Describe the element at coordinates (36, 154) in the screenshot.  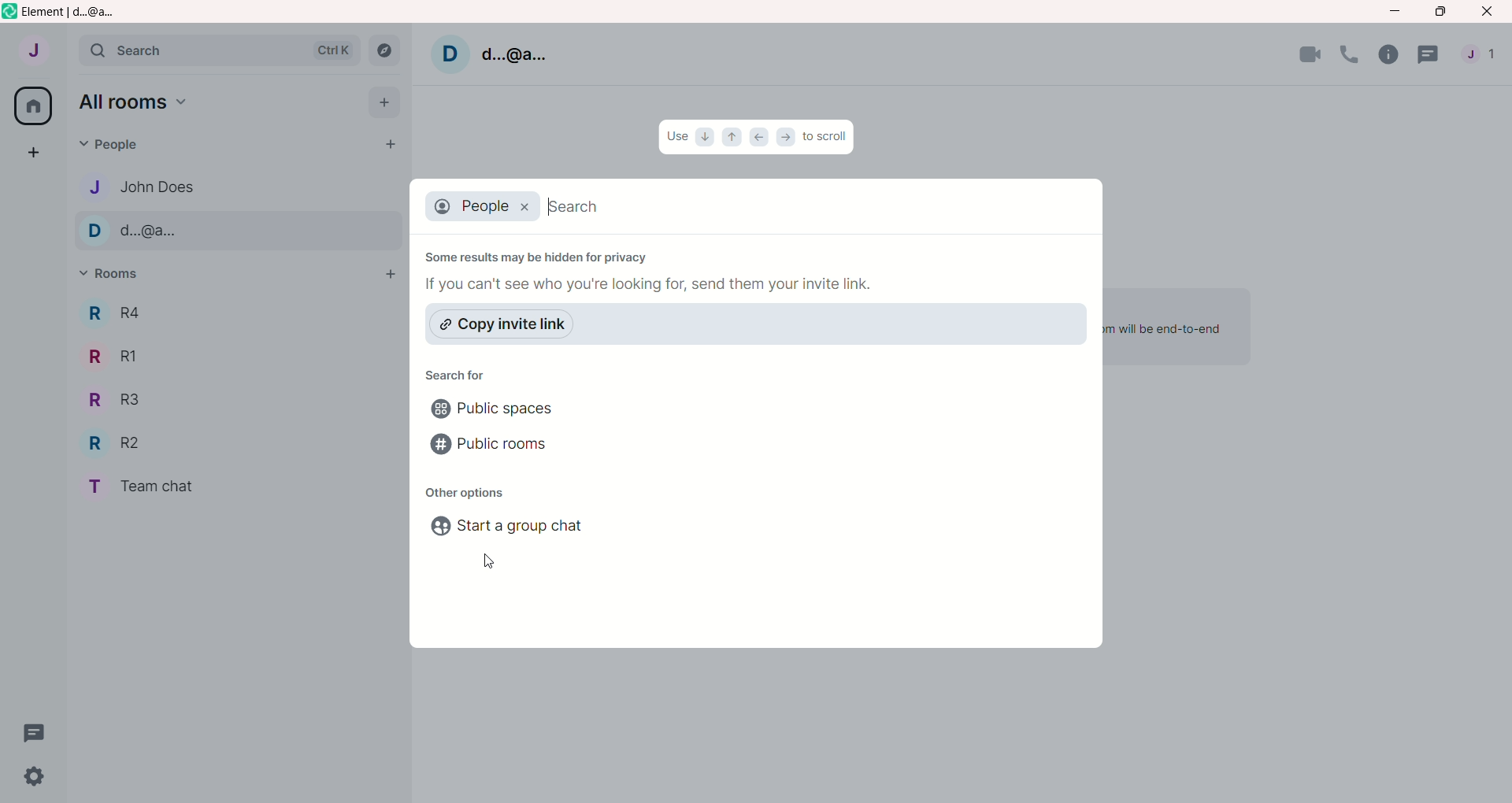
I see `create a space` at that location.